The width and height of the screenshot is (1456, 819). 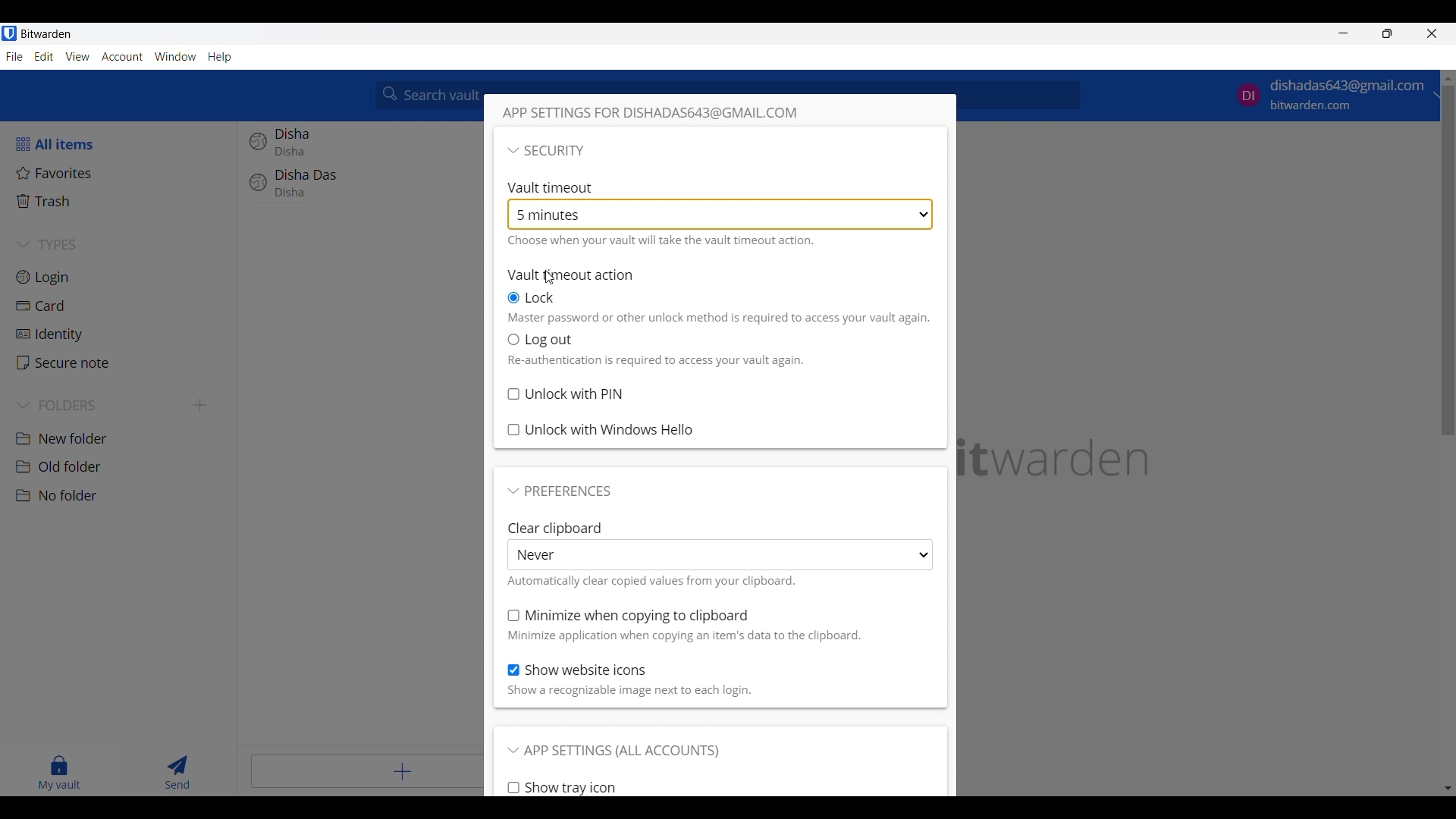 What do you see at coordinates (717, 318) in the screenshot?
I see `Description of action` at bounding box center [717, 318].